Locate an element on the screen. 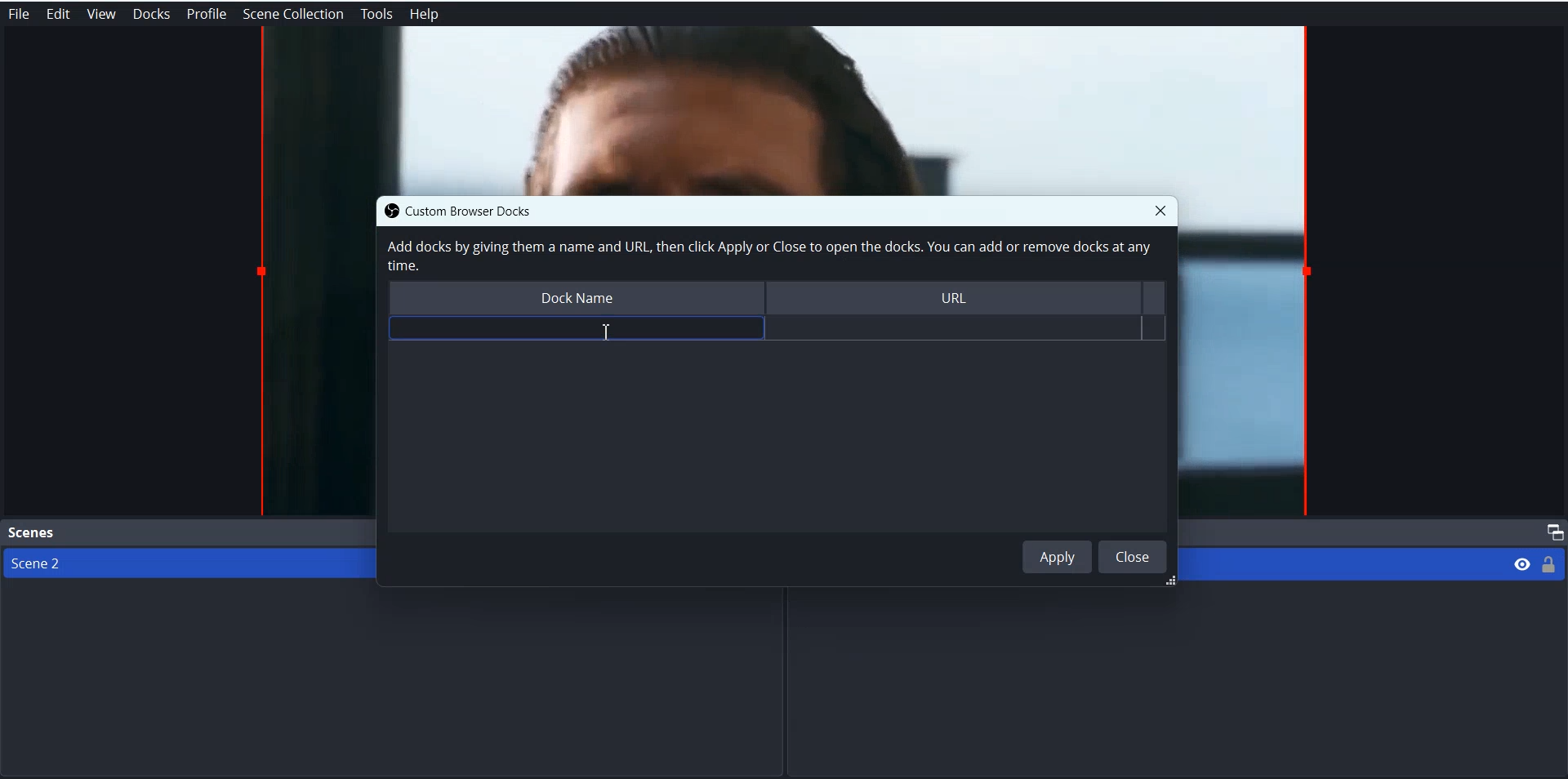 This screenshot has width=1568, height=779. Profile is located at coordinates (207, 14).